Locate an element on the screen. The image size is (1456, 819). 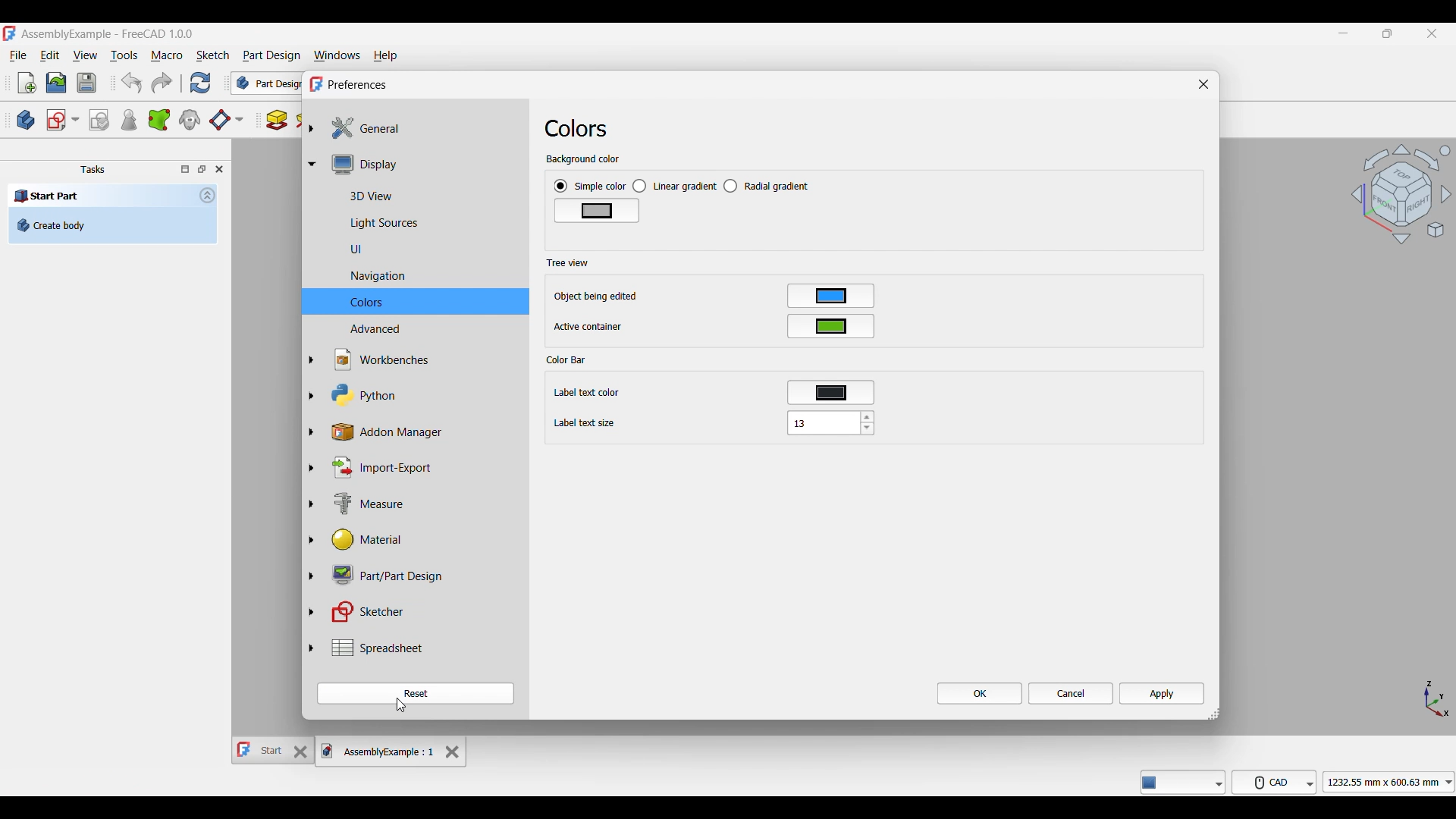
Create body is located at coordinates (26, 120).